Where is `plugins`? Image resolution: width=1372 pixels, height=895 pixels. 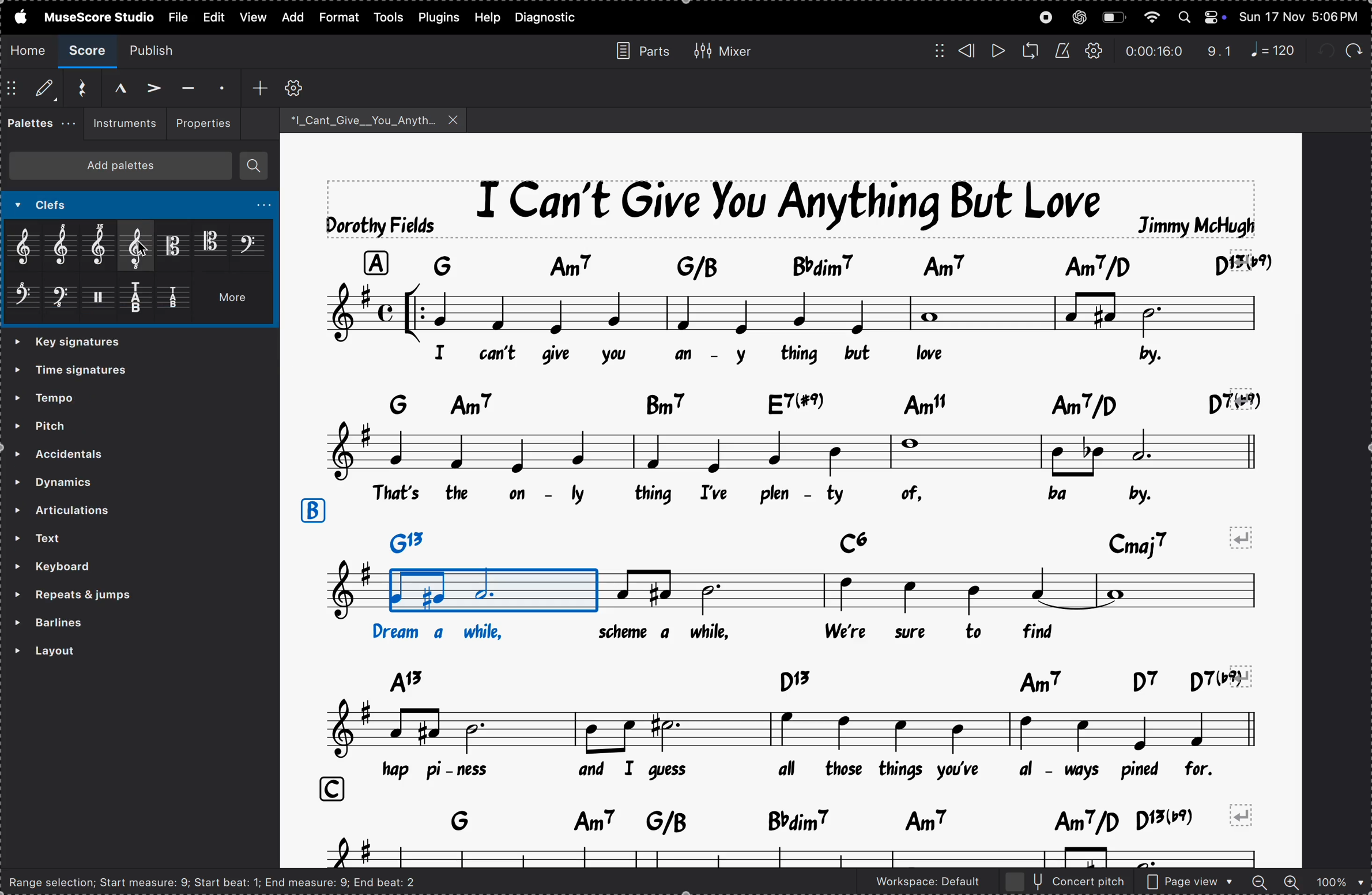 plugins is located at coordinates (439, 17).